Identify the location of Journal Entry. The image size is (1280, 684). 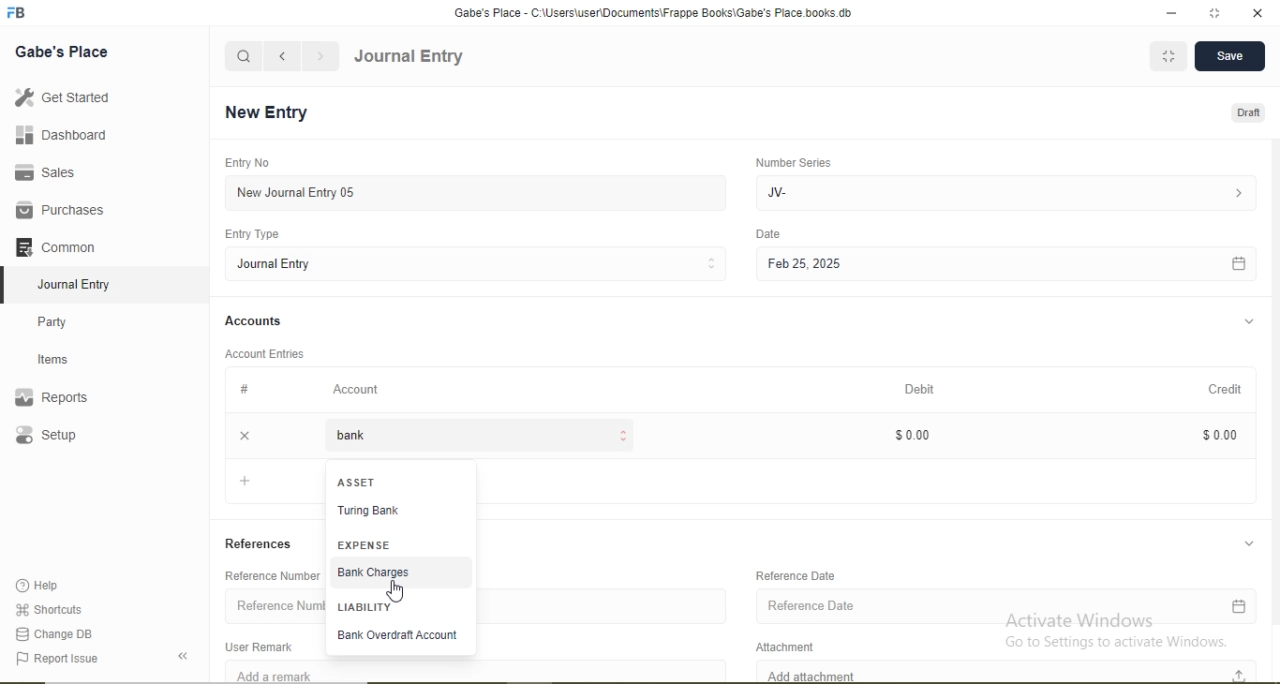
(409, 57).